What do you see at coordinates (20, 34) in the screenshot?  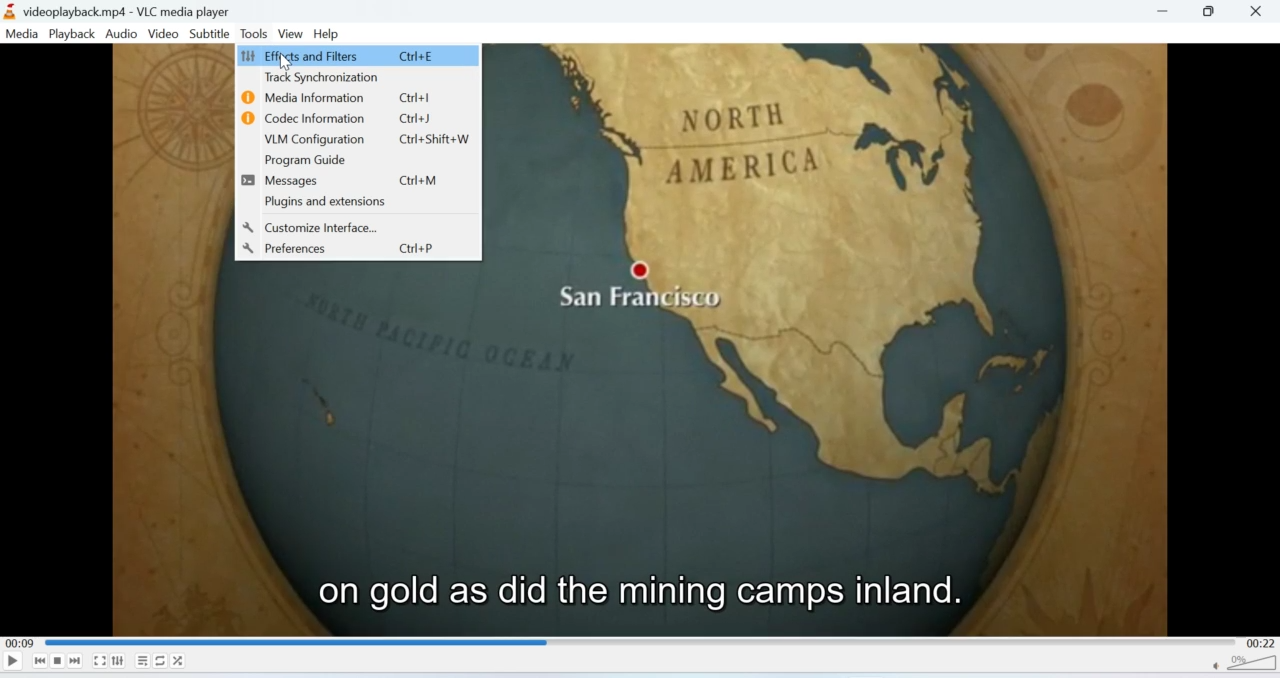 I see `Media` at bounding box center [20, 34].